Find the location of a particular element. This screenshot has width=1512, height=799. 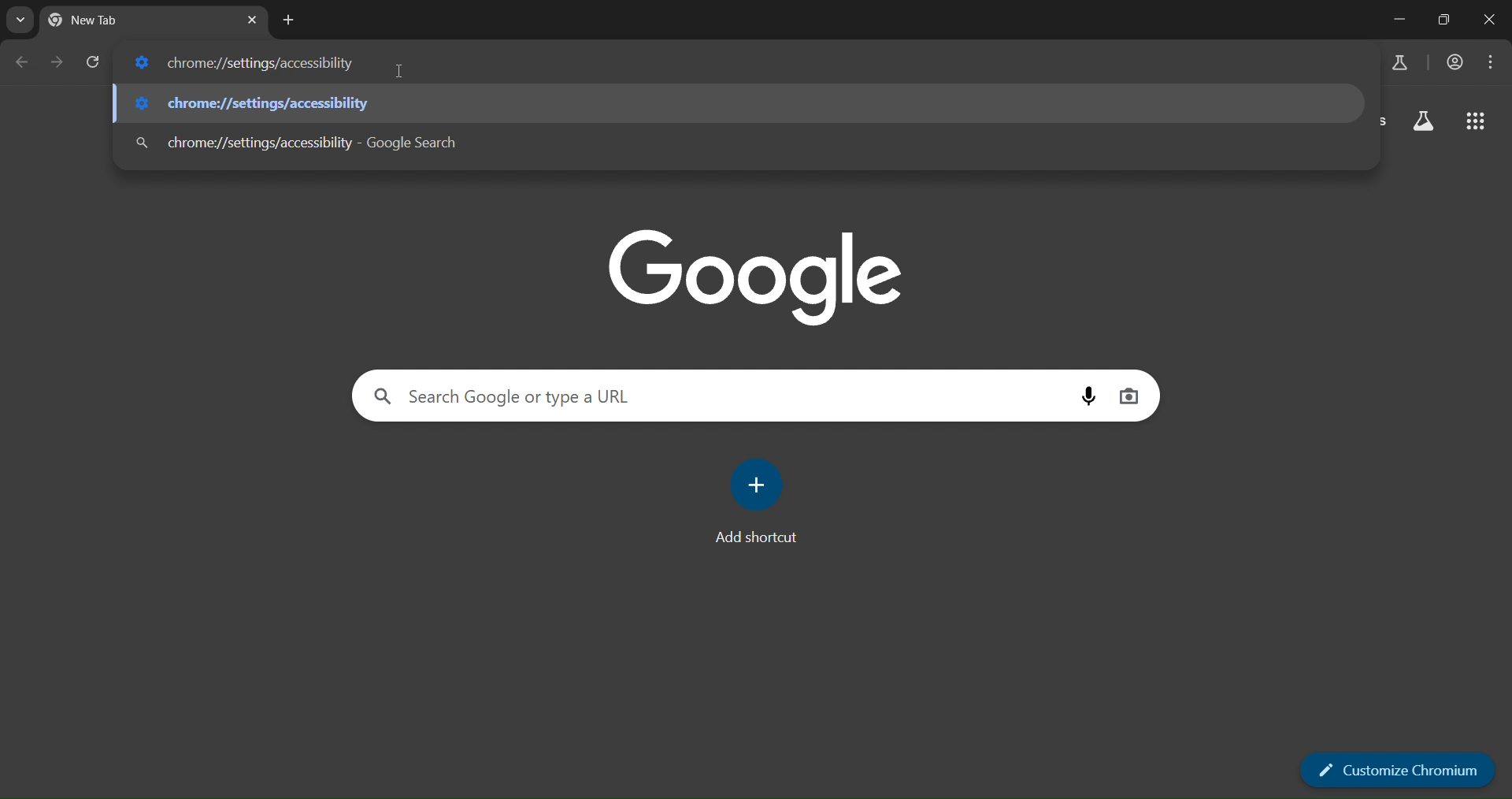

menu is located at coordinates (1490, 62).